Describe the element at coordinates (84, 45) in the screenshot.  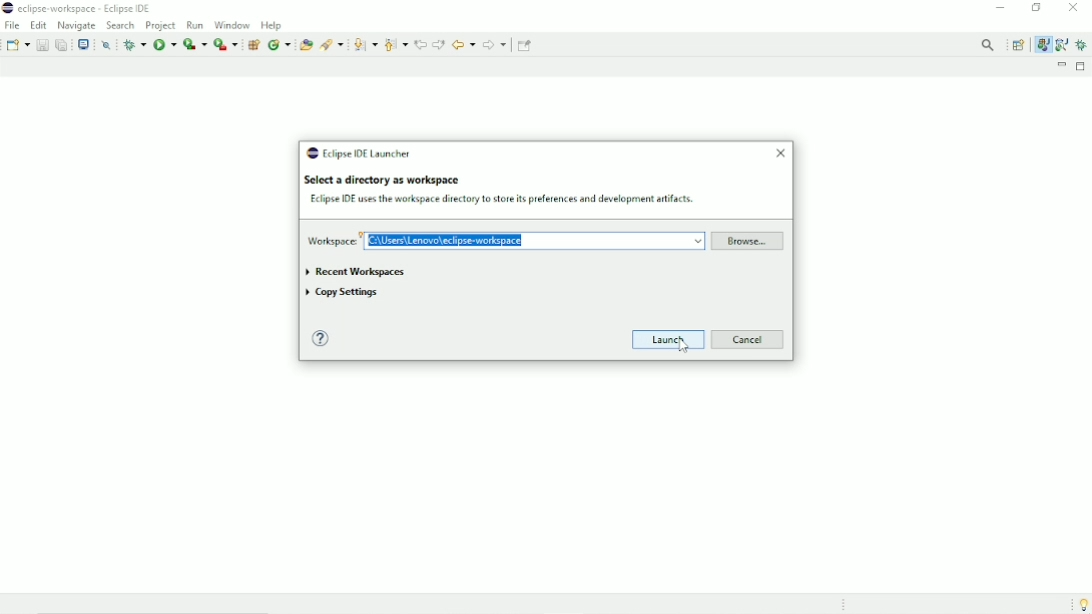
I see `Open a terminal` at that location.